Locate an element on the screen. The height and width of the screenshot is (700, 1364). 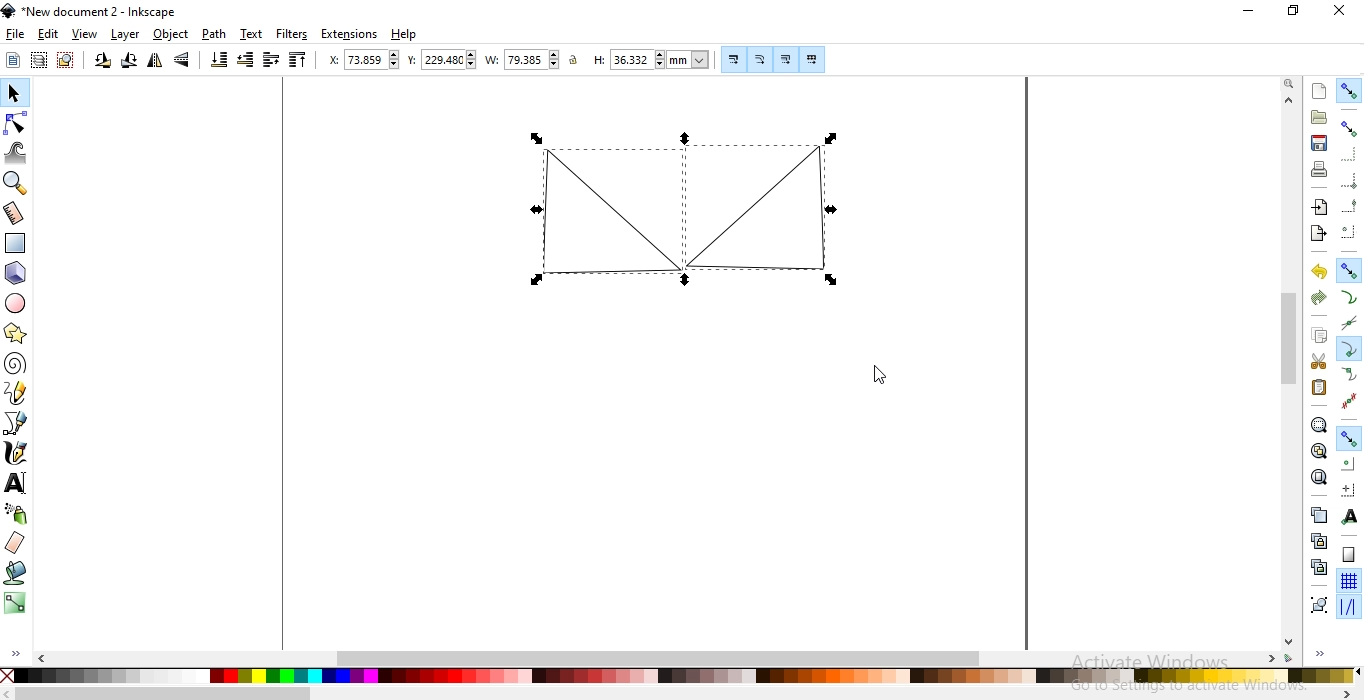
close is located at coordinates (1337, 8).